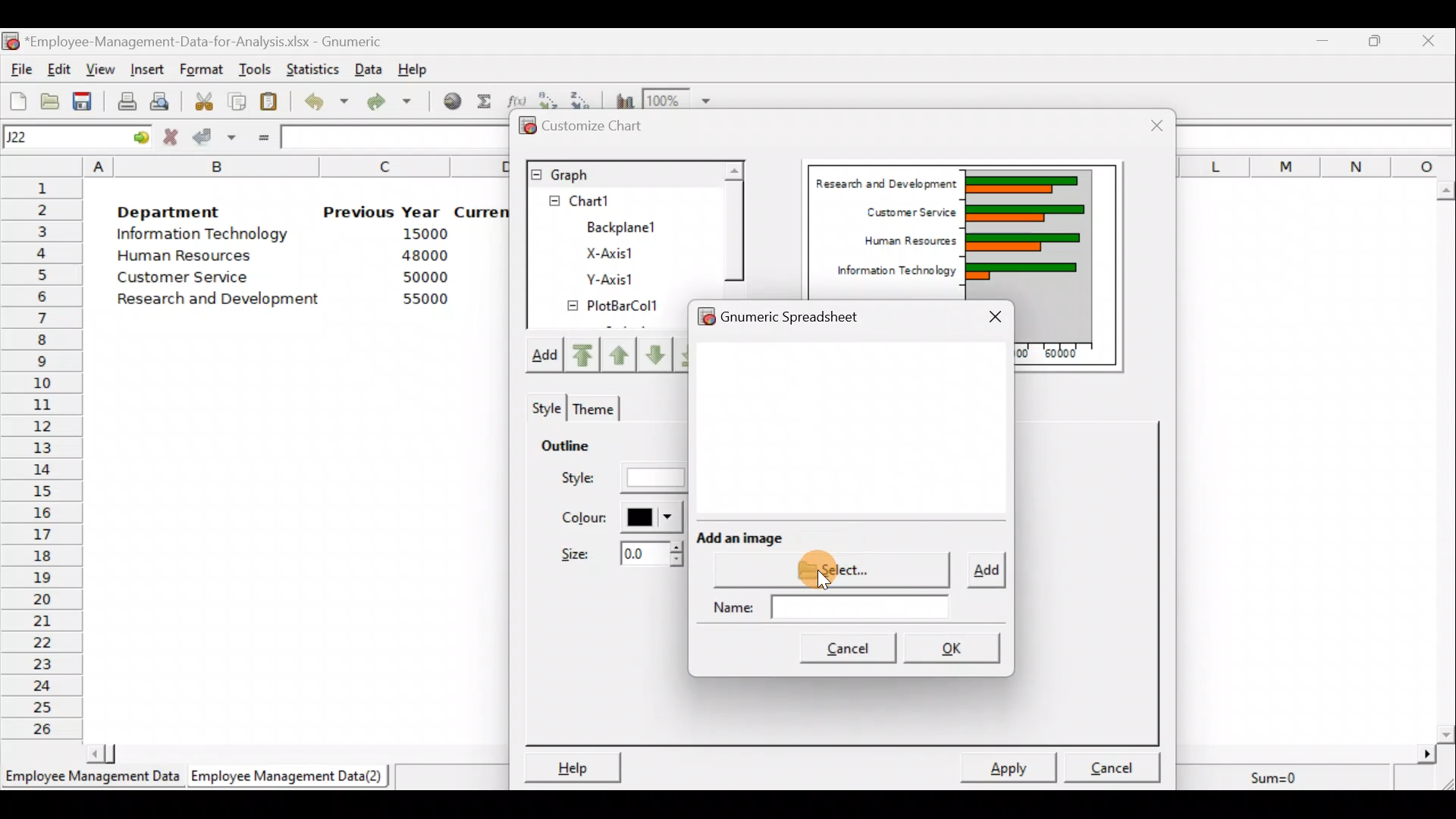  What do you see at coordinates (12, 41) in the screenshot?
I see `Gnumeric logo` at bounding box center [12, 41].